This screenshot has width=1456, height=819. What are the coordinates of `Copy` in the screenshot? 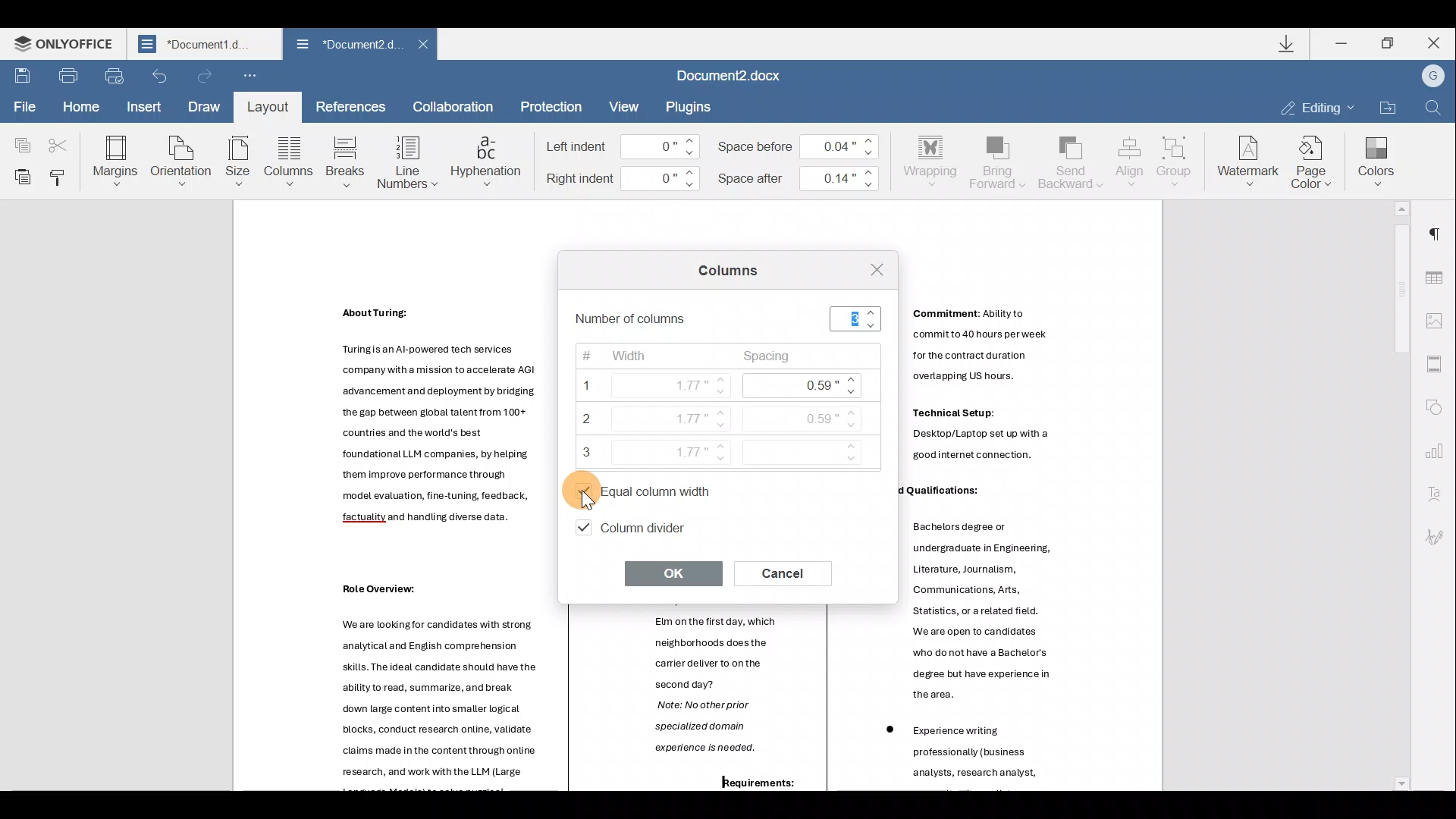 It's located at (19, 138).